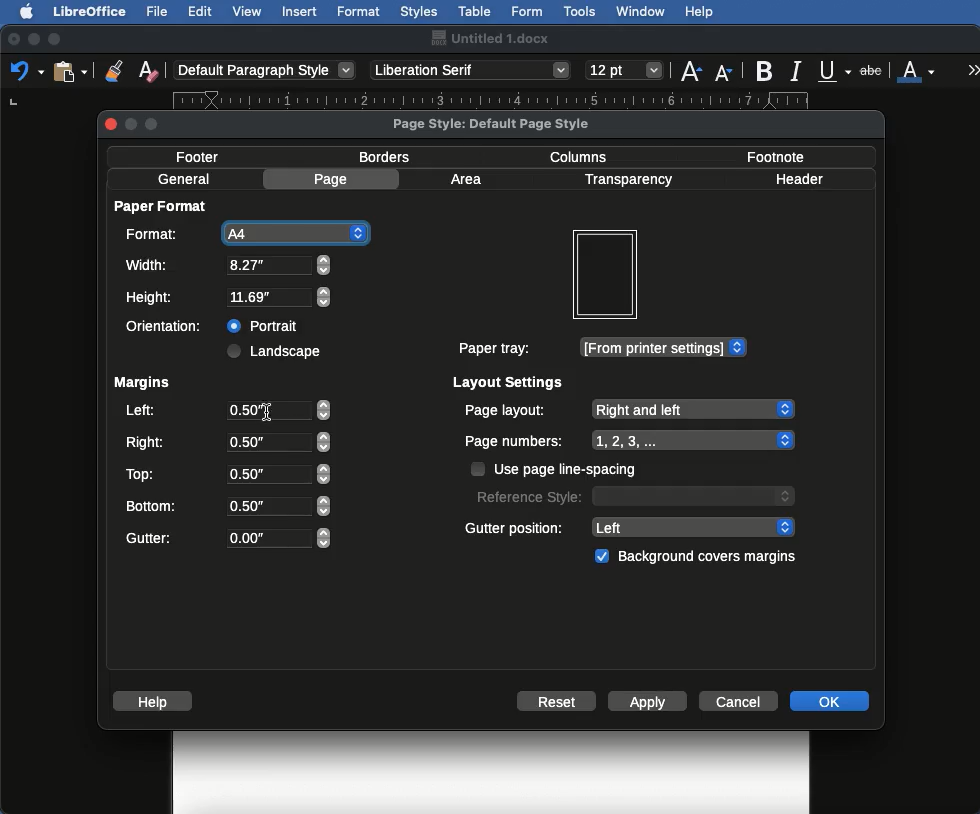 This screenshot has width=980, height=814. What do you see at coordinates (265, 323) in the screenshot?
I see `Portrait` at bounding box center [265, 323].